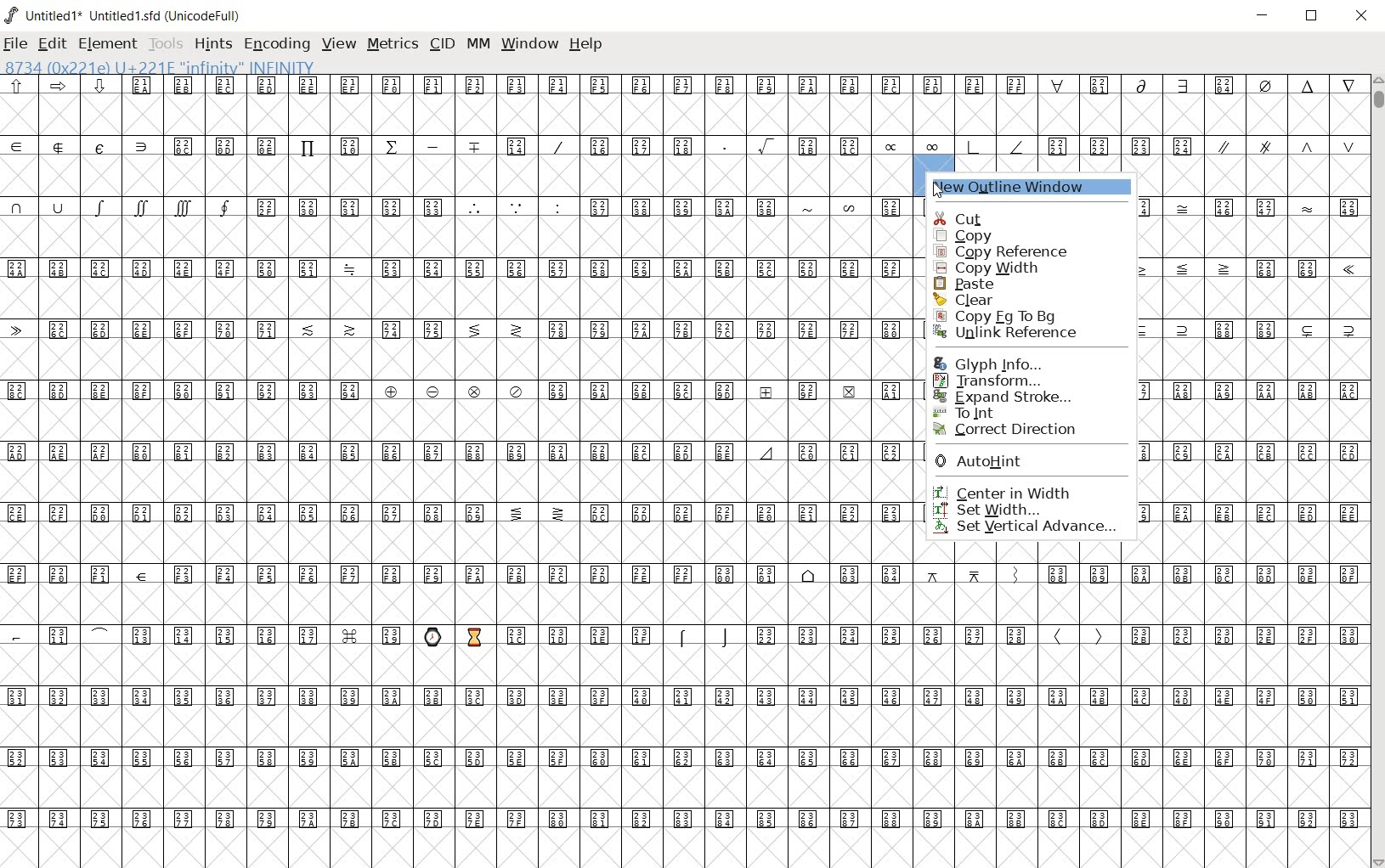 This screenshot has height=868, width=1385. What do you see at coordinates (682, 114) in the screenshot?
I see `empty glyph slots` at bounding box center [682, 114].